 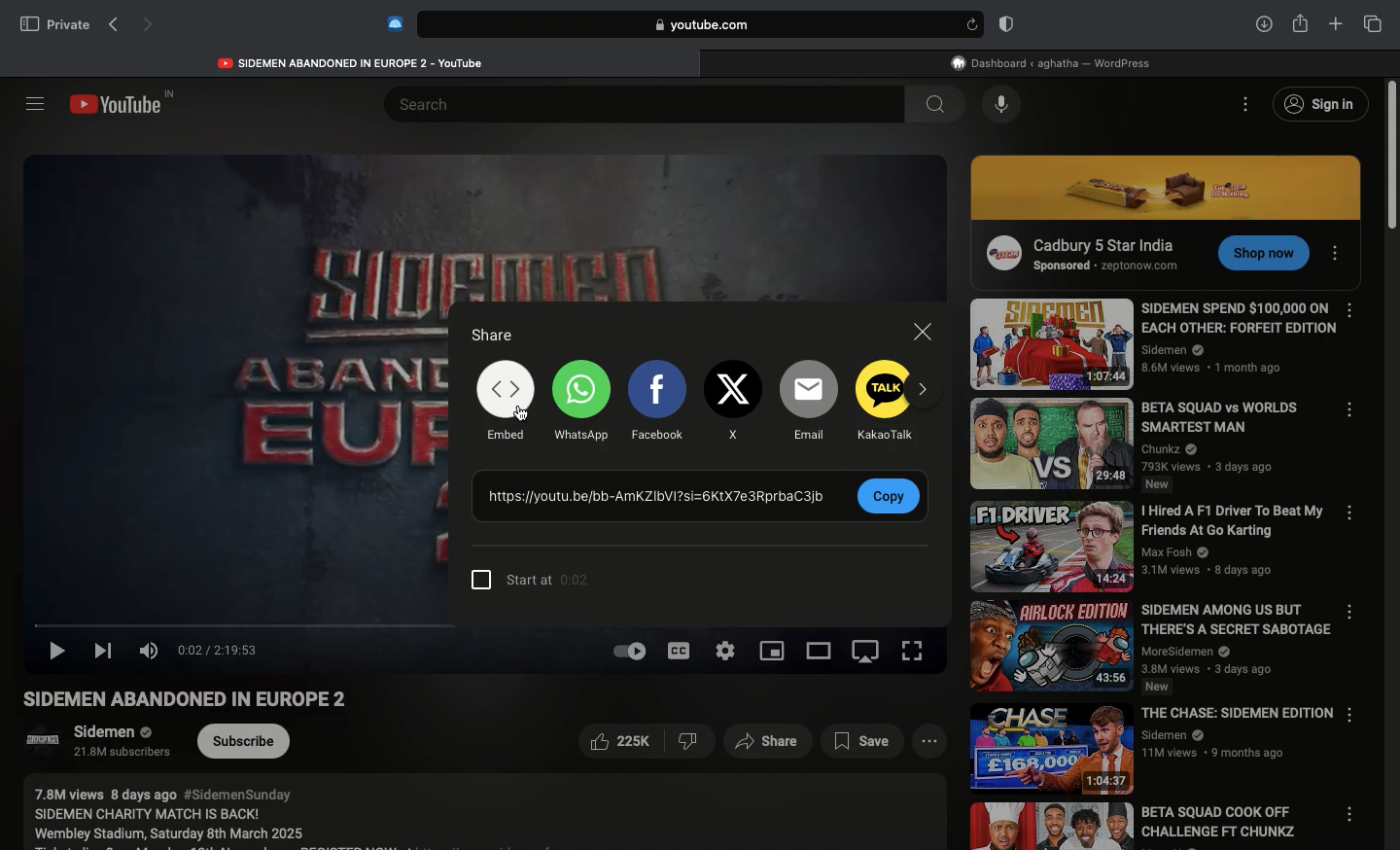 I want to click on Auto, so click(x=629, y=651).